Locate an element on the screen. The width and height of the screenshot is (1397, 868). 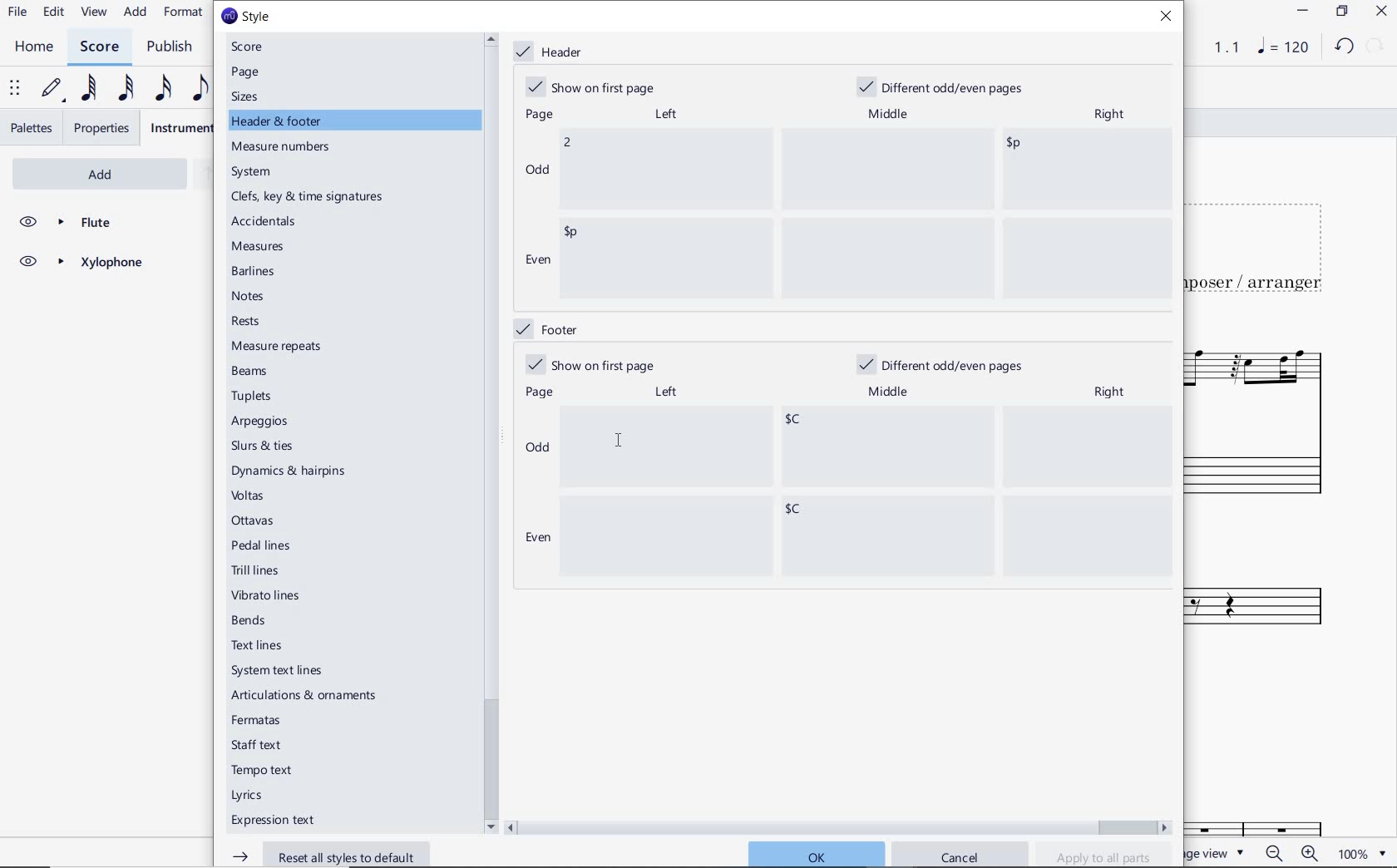
trill lines is located at coordinates (256, 570).